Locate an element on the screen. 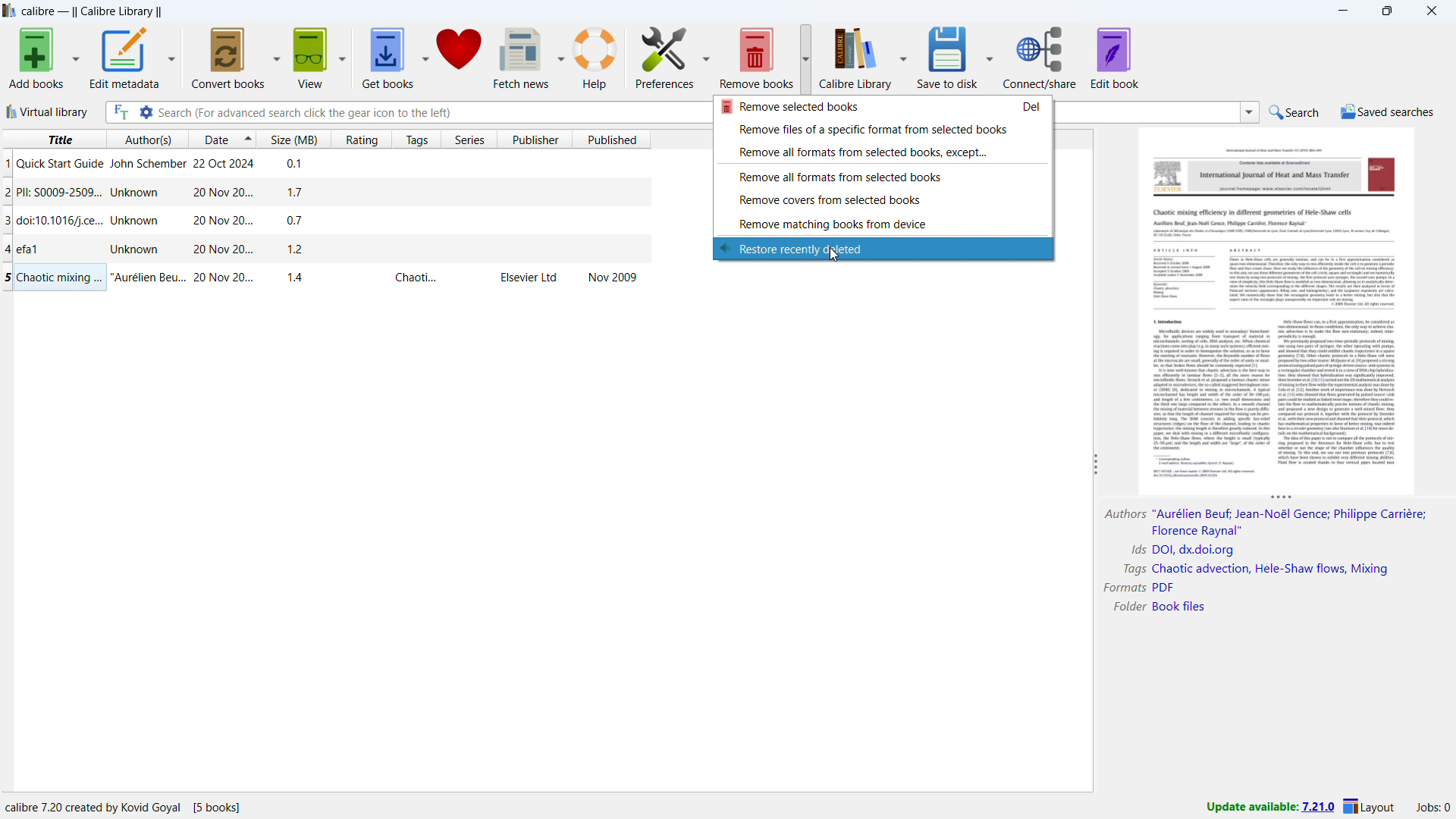 The width and height of the screenshot is (1456, 819). edit metadata options is located at coordinates (171, 58).